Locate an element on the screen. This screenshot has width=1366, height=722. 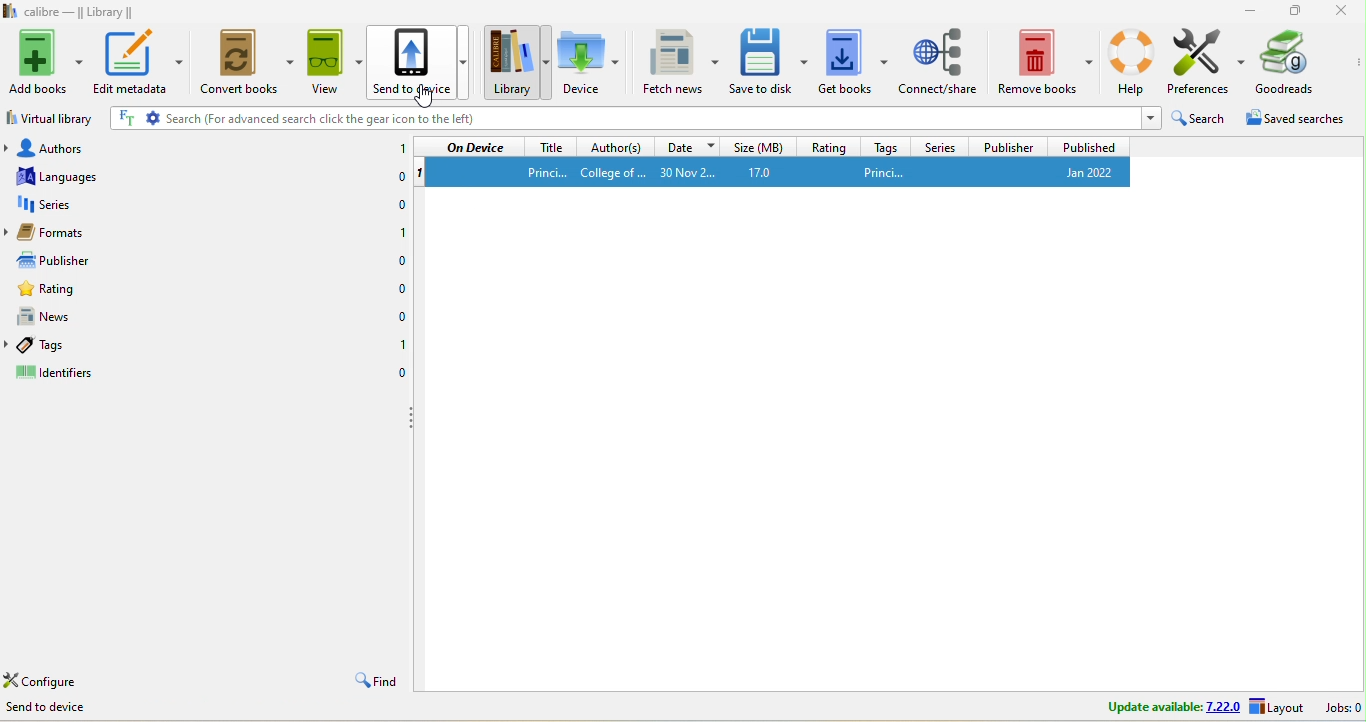
title is located at coordinates (70, 11).